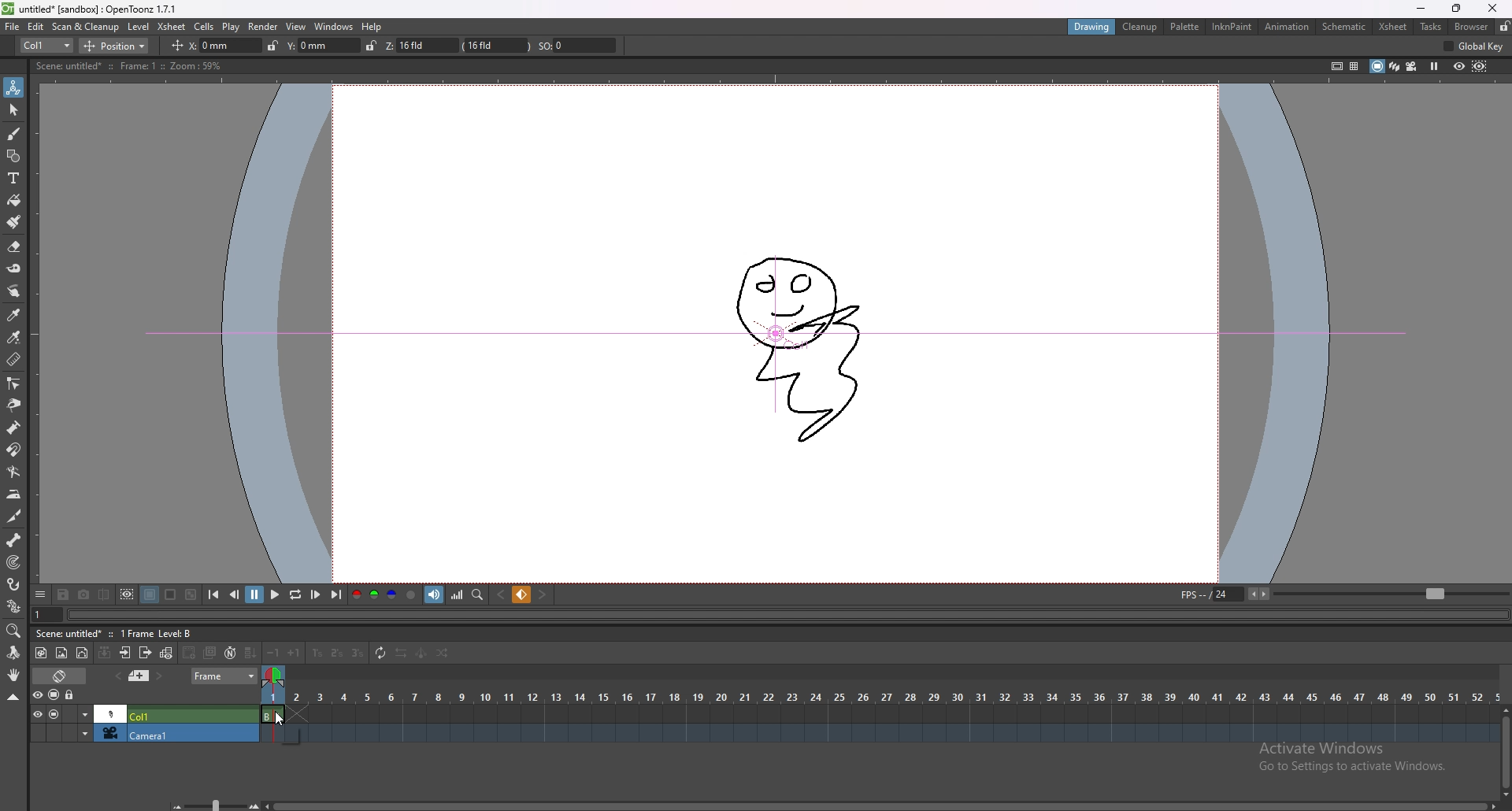  I want to click on play, so click(273, 595).